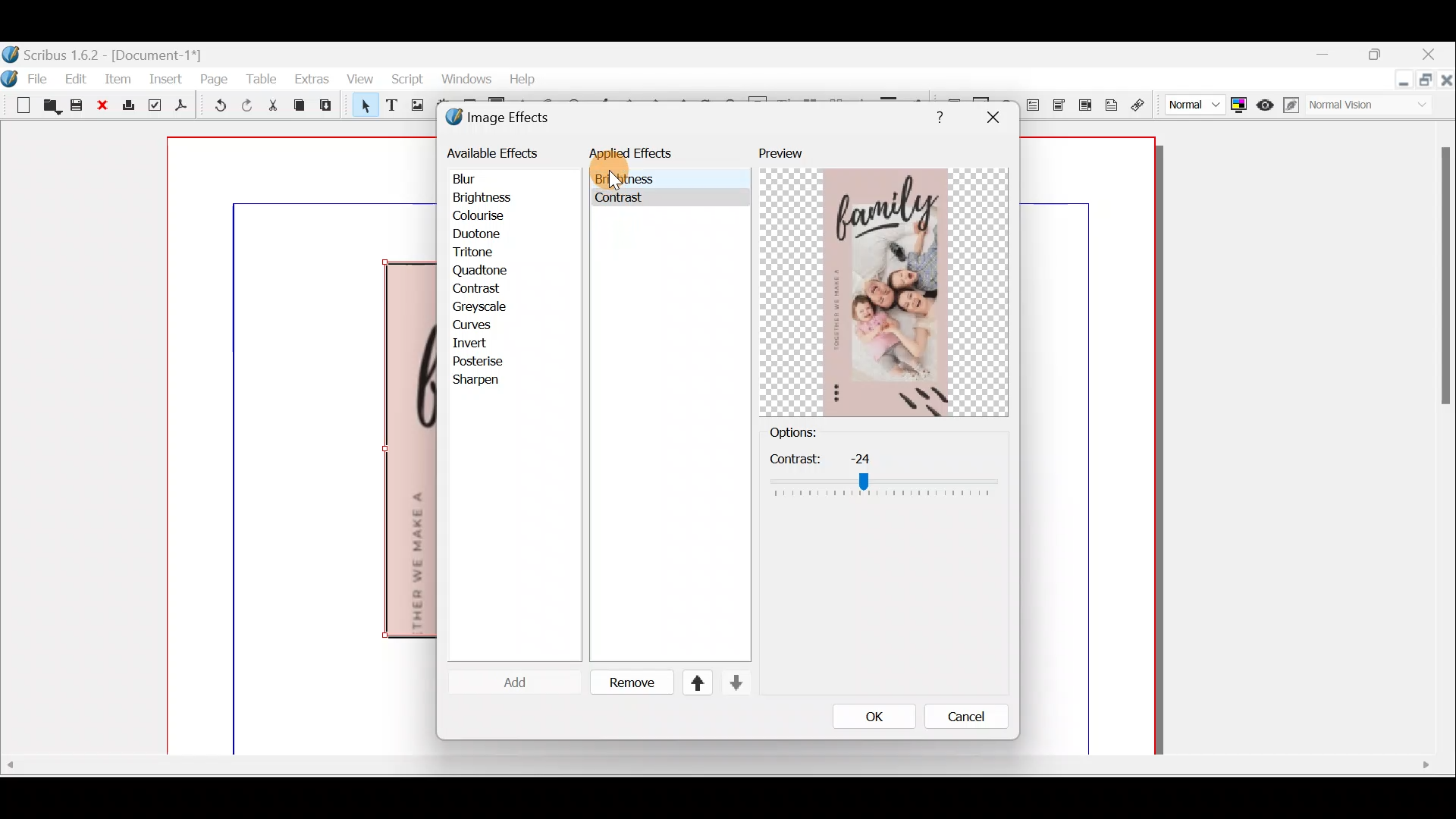  What do you see at coordinates (477, 288) in the screenshot?
I see `Contrast` at bounding box center [477, 288].